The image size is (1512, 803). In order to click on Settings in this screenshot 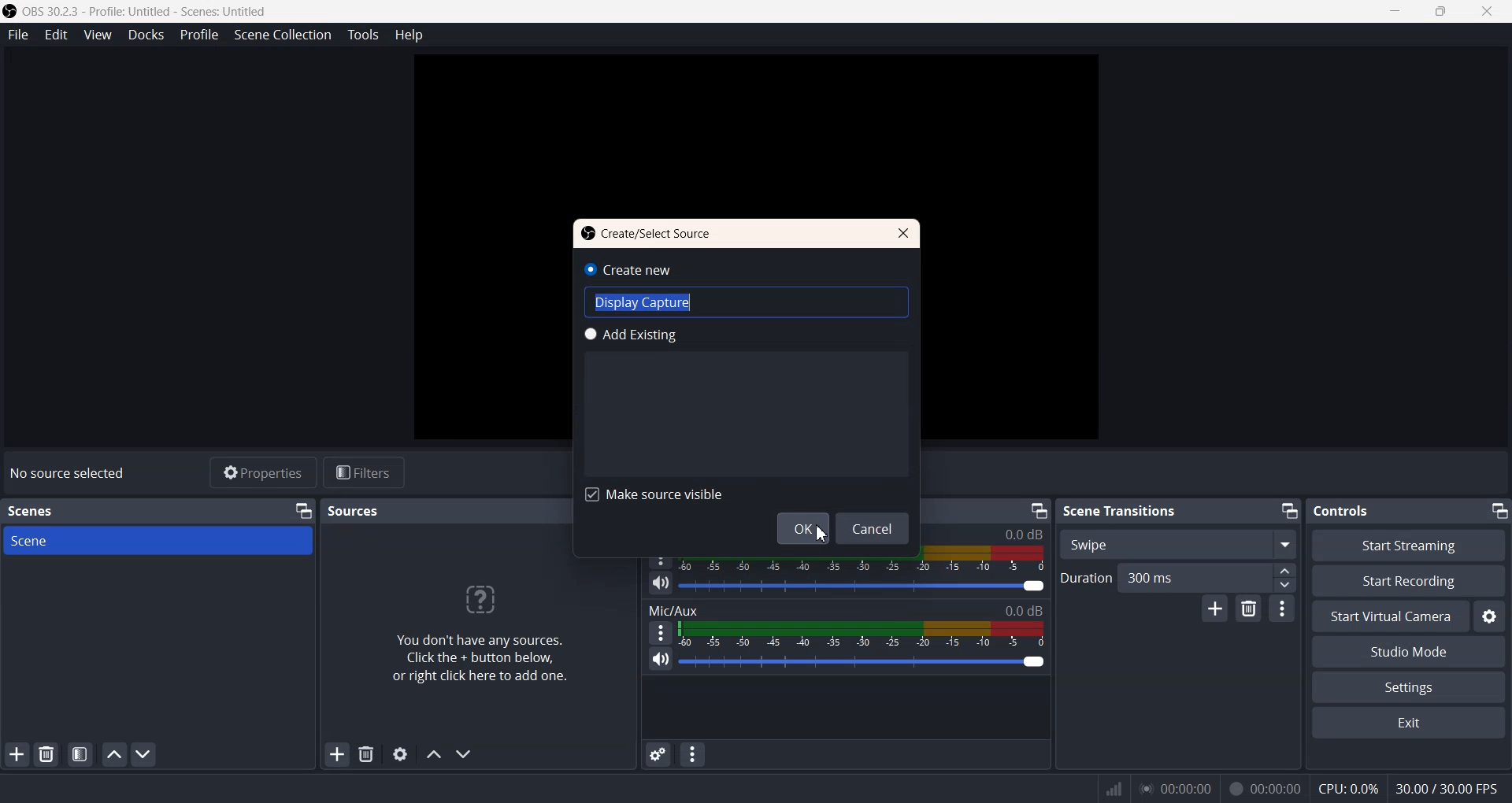, I will do `click(1489, 616)`.